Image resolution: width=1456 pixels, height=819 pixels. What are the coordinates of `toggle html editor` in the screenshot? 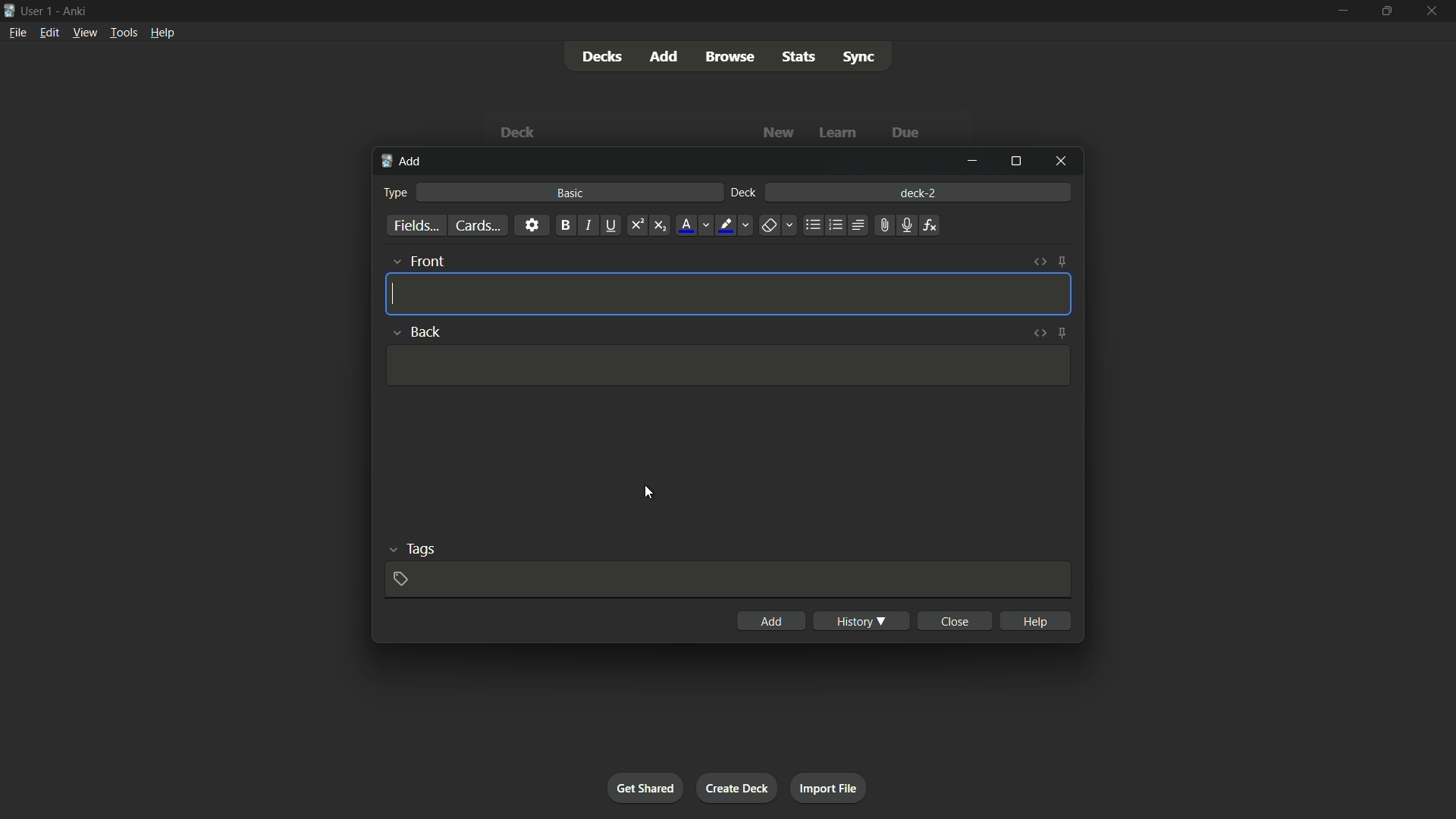 It's located at (1040, 331).